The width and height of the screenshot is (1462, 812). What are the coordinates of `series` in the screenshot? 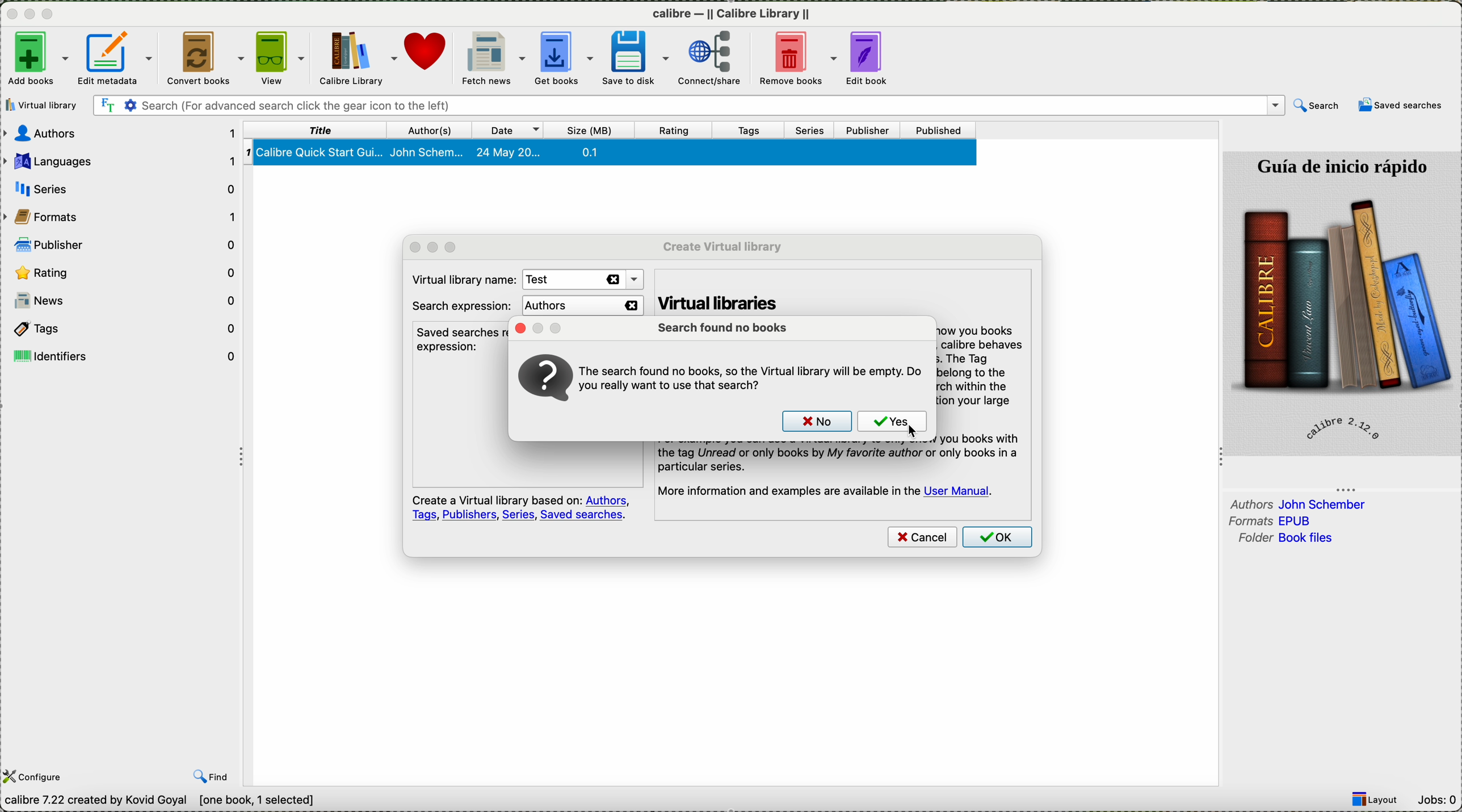 It's located at (814, 130).